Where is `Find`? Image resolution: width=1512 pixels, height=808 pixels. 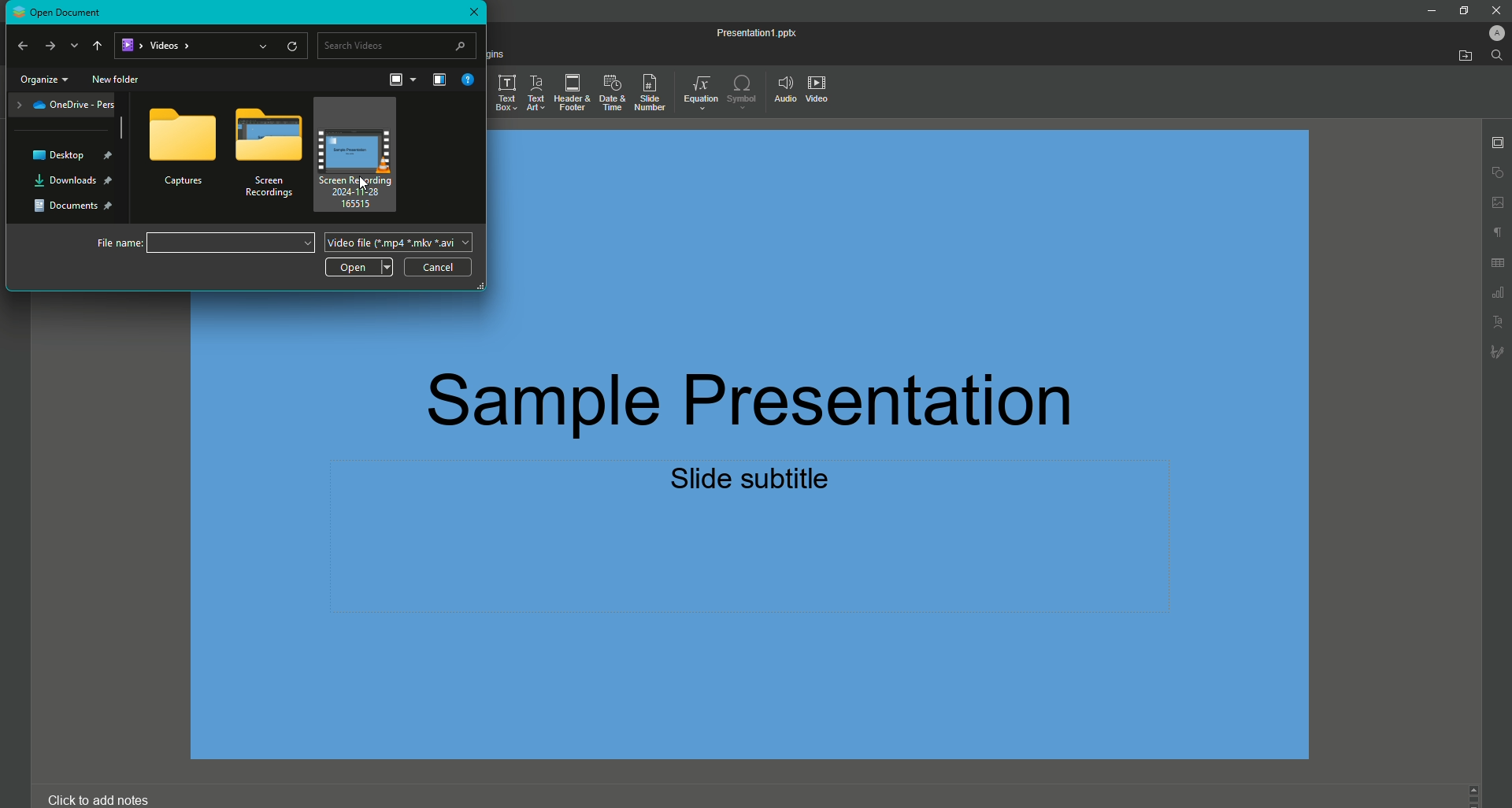 Find is located at coordinates (1497, 56).